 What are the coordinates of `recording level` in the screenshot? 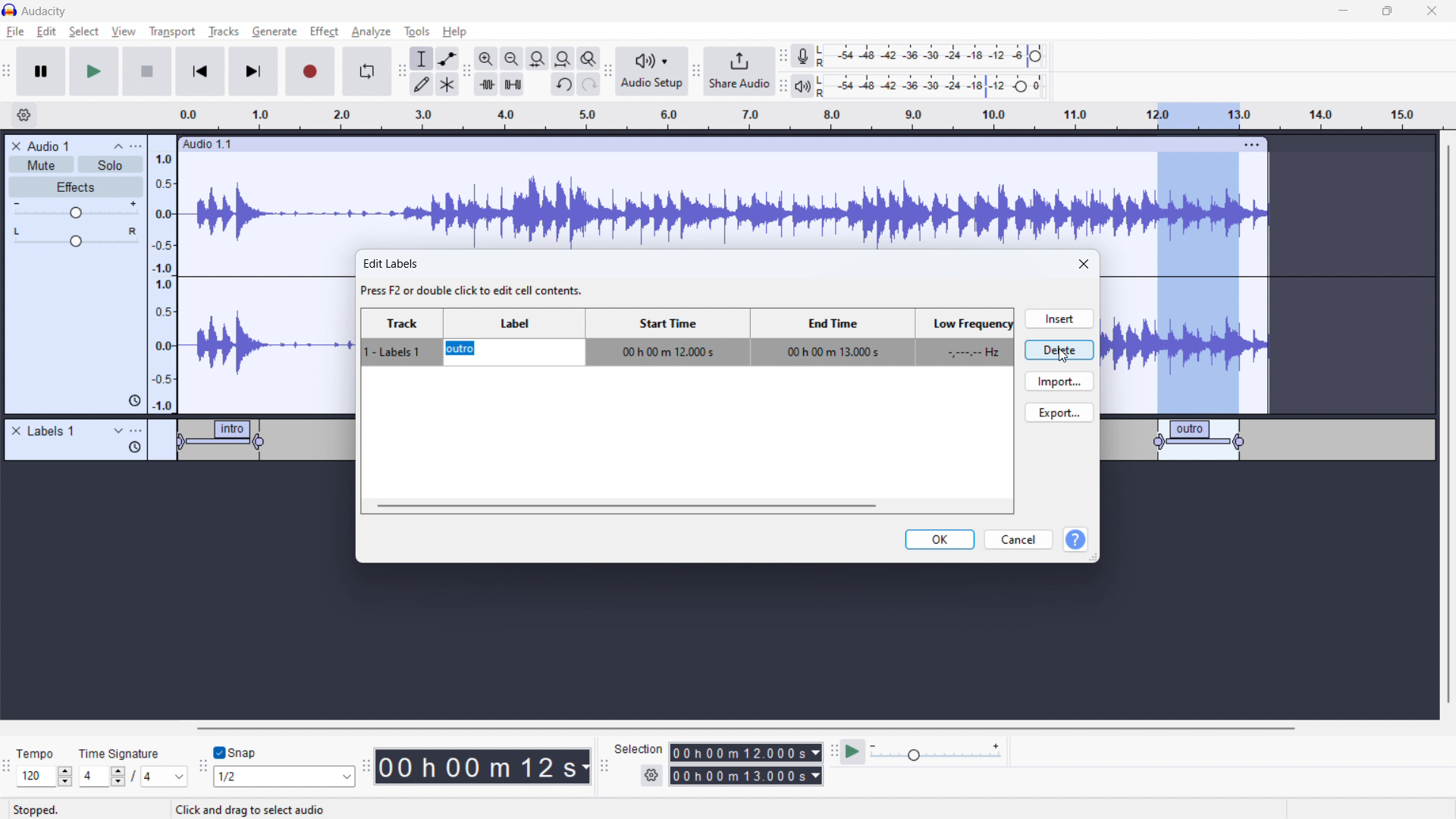 It's located at (940, 56).